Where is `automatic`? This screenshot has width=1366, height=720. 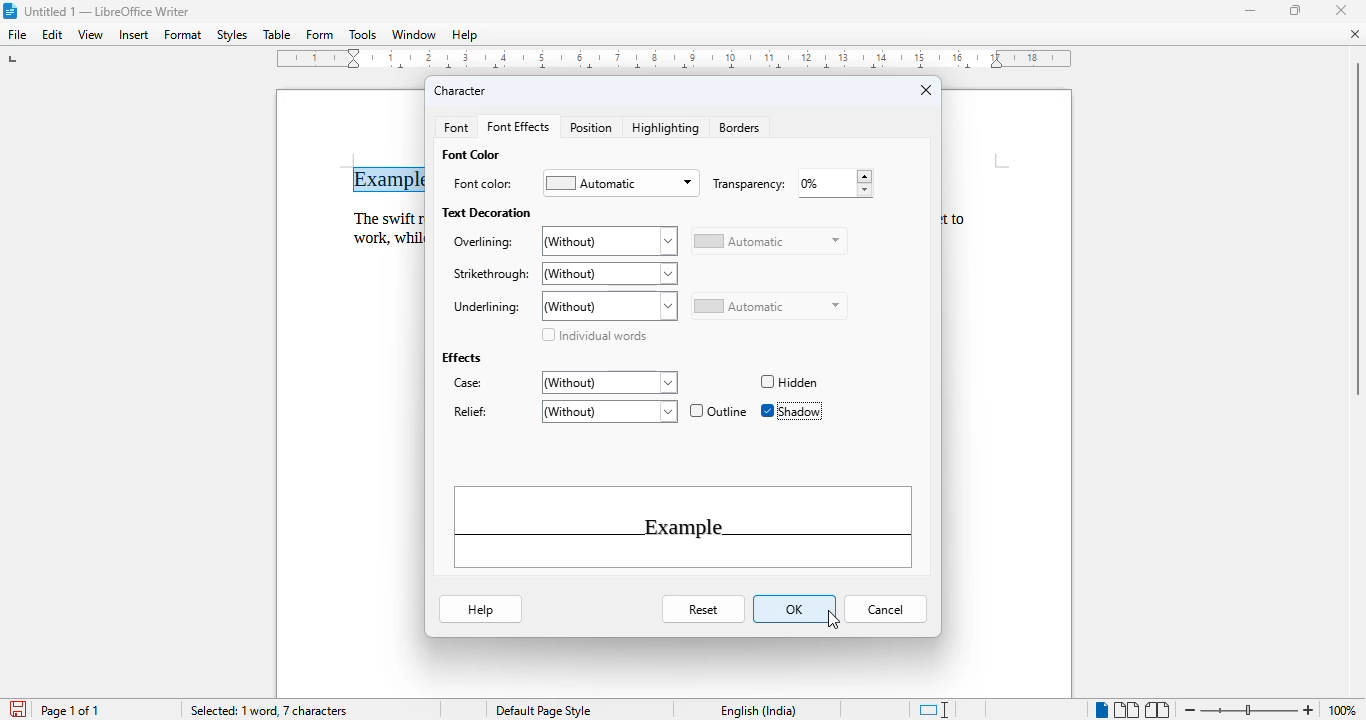
automatic is located at coordinates (768, 307).